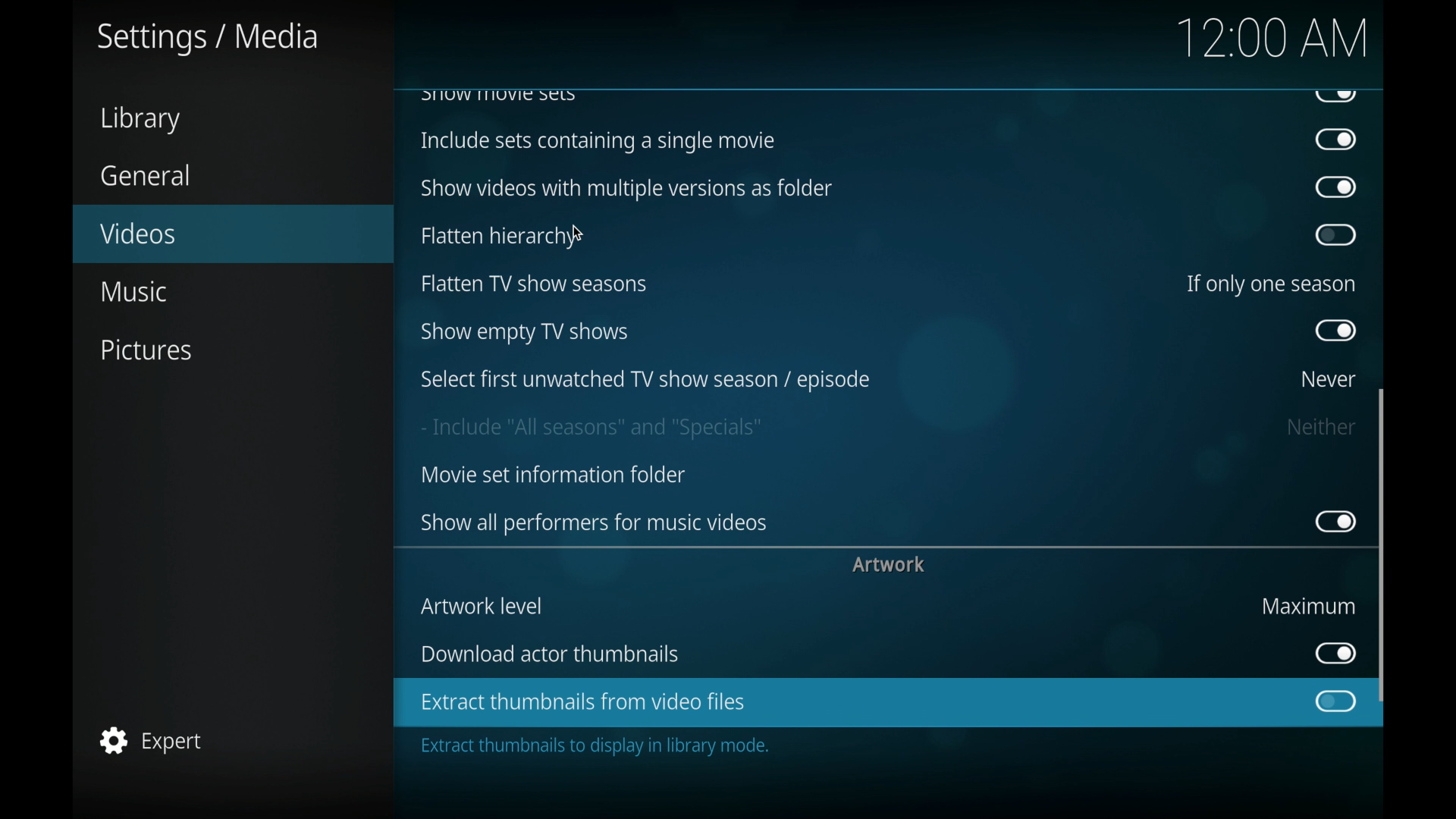  What do you see at coordinates (597, 748) in the screenshot?
I see `extract thumbnails to display in library mode` at bounding box center [597, 748].